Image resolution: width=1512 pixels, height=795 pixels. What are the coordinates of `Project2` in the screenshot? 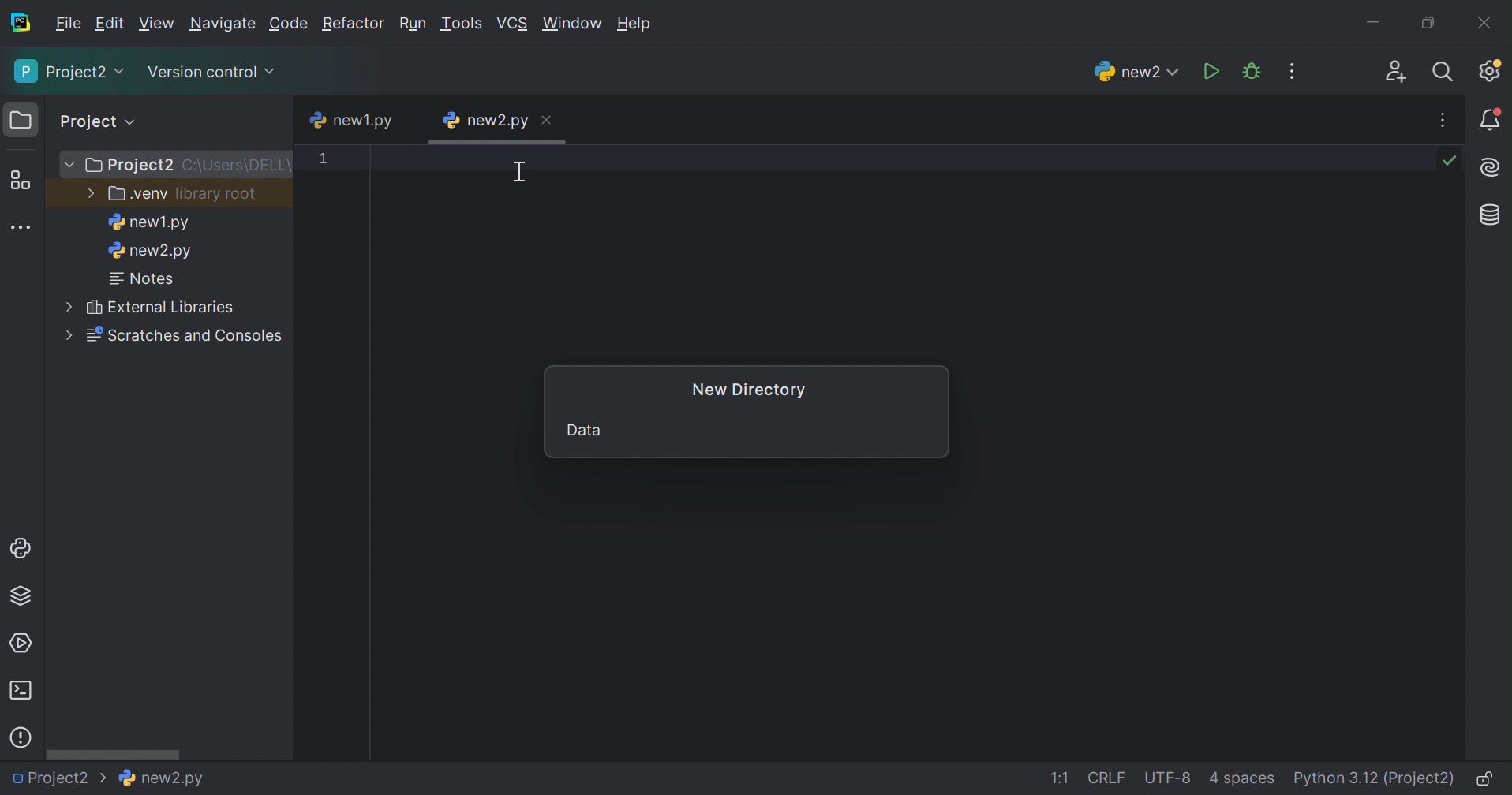 It's located at (68, 73).